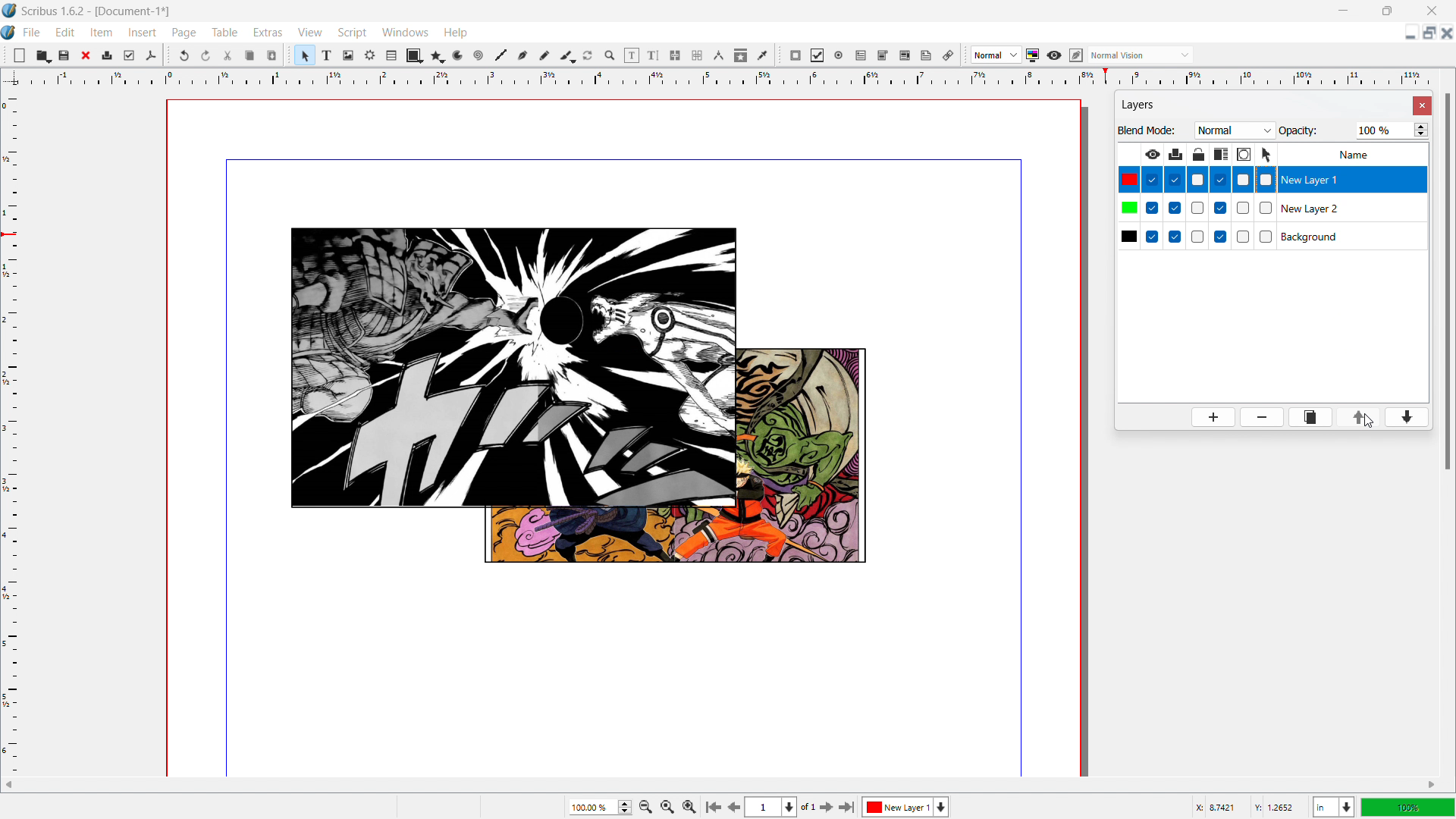  Describe the element at coordinates (1175, 155) in the screenshot. I see `print layer` at that location.